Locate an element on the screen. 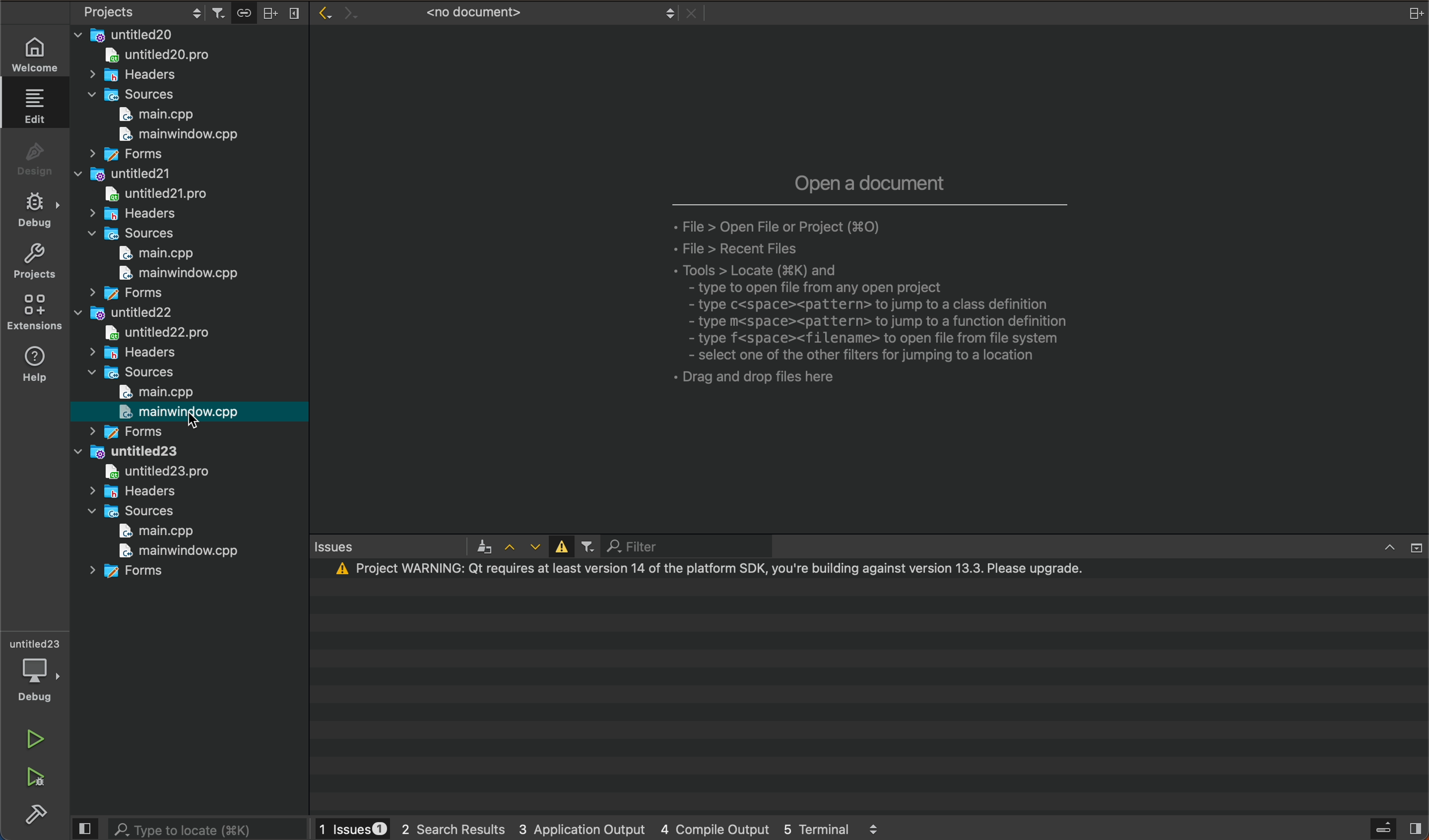 Image resolution: width=1429 pixels, height=840 pixels. close slide bar is located at coordinates (86, 829).